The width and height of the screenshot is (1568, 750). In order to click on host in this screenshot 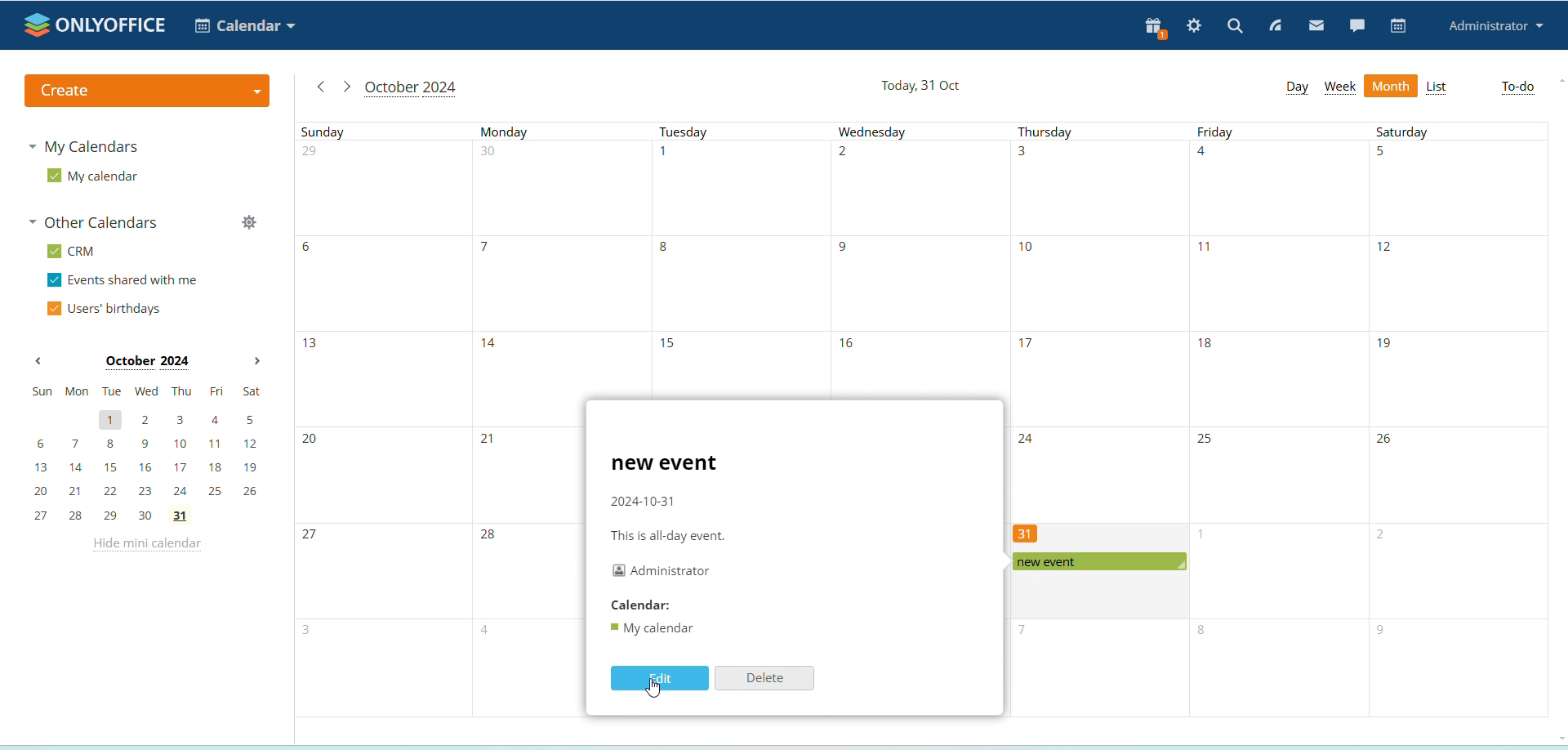, I will do `click(661, 569)`.